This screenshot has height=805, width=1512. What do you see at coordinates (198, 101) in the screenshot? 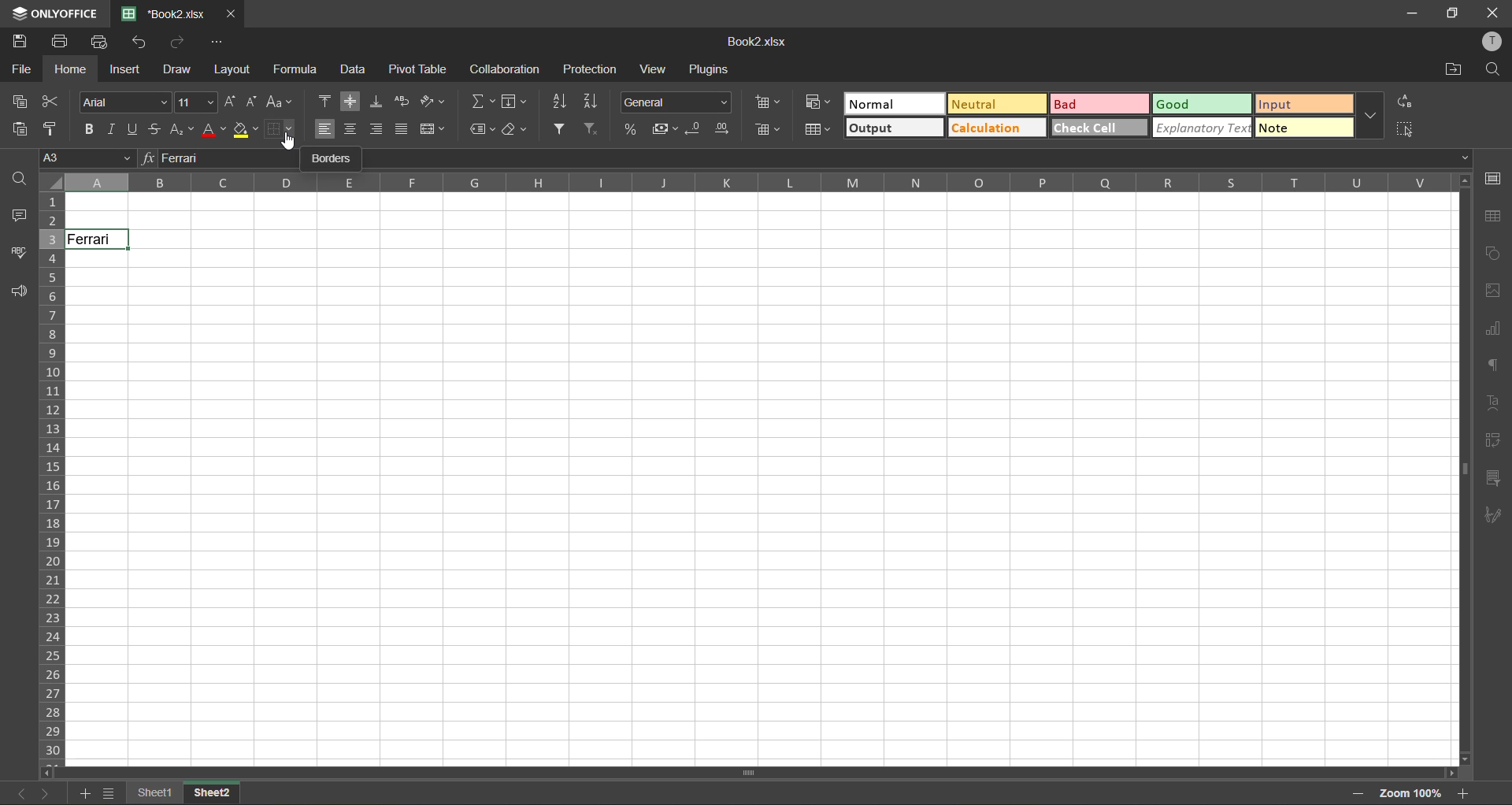
I see `font size` at bounding box center [198, 101].